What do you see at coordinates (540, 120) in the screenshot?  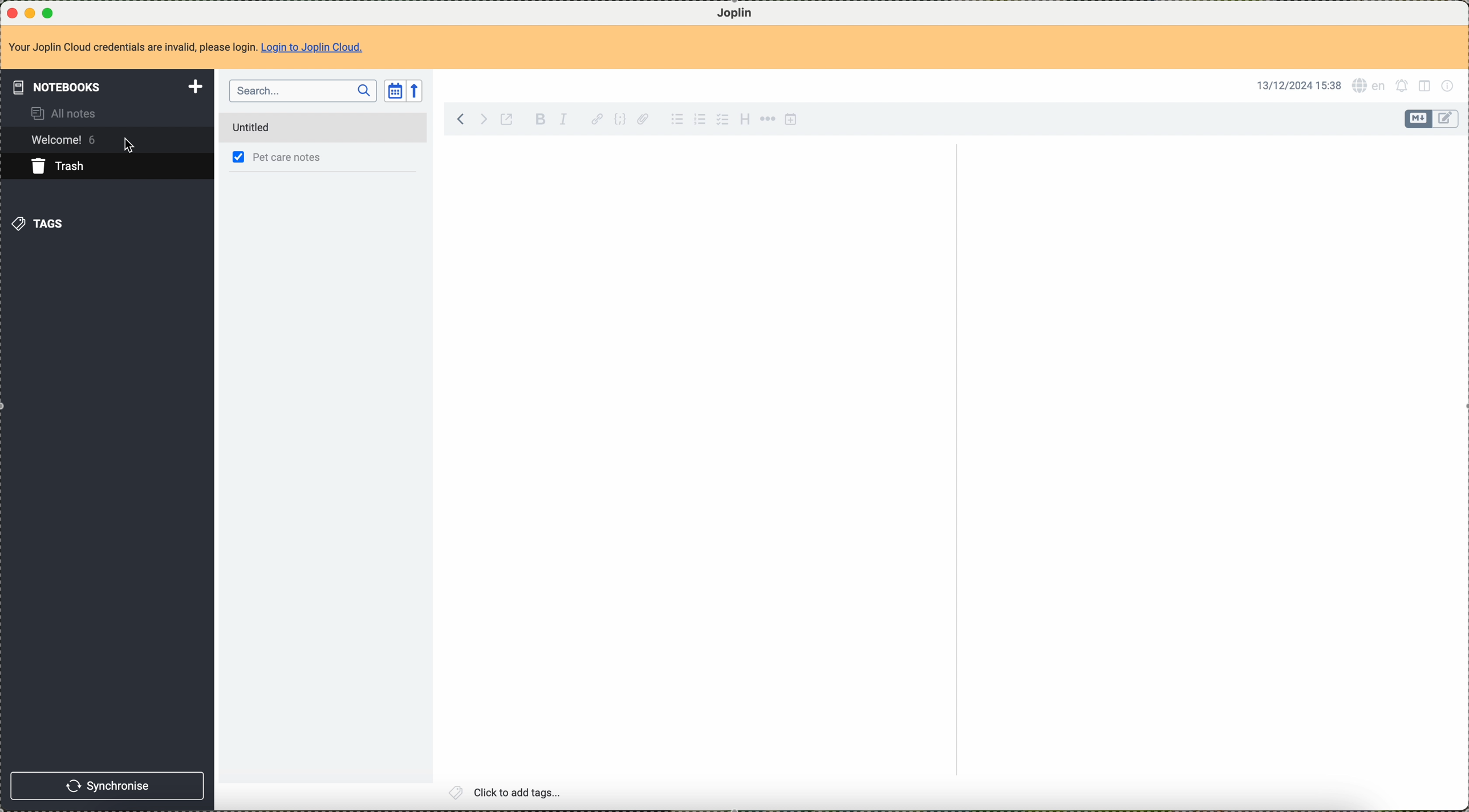 I see `bold` at bounding box center [540, 120].